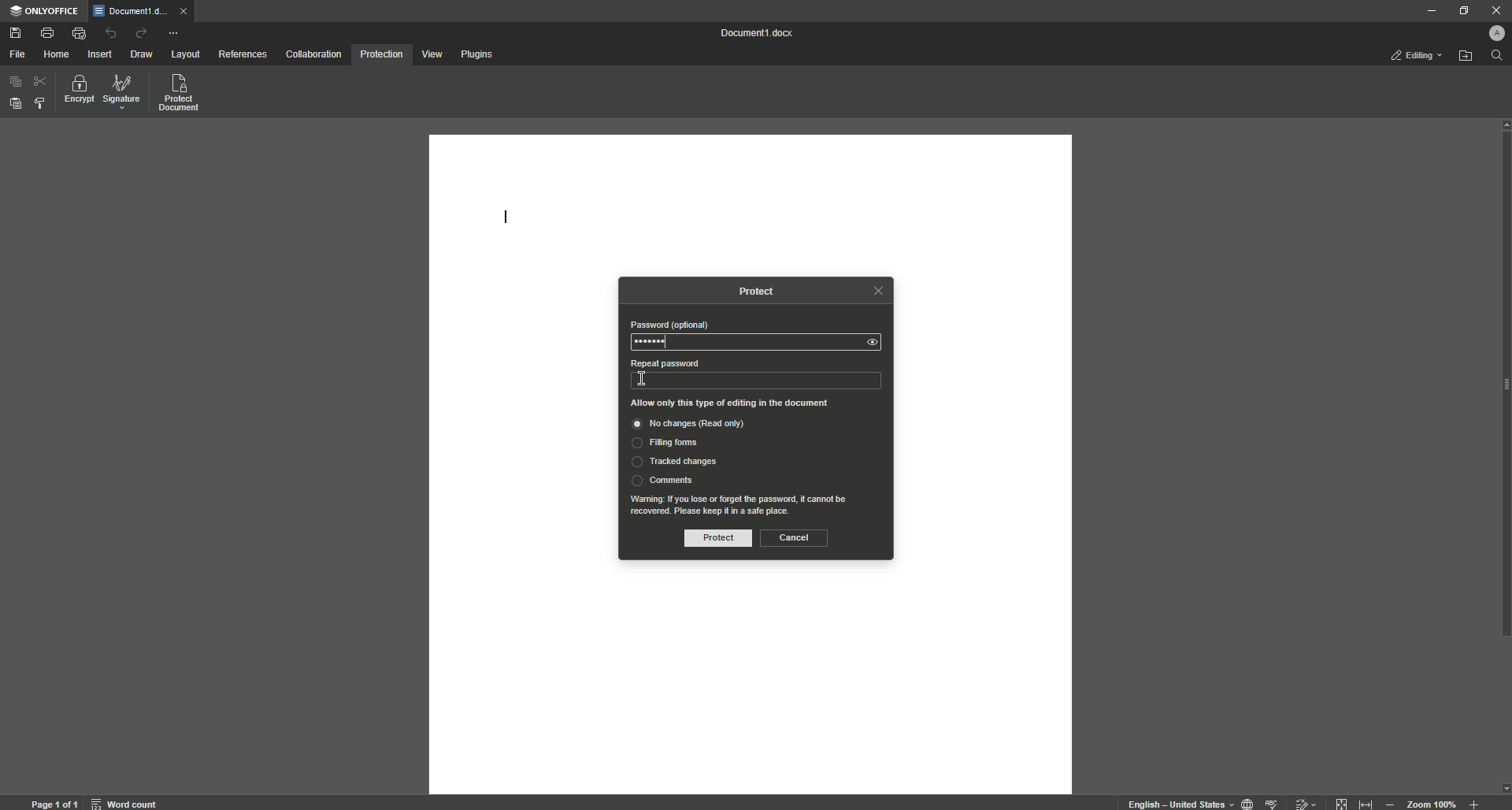  What do you see at coordinates (877, 291) in the screenshot?
I see `close` at bounding box center [877, 291].